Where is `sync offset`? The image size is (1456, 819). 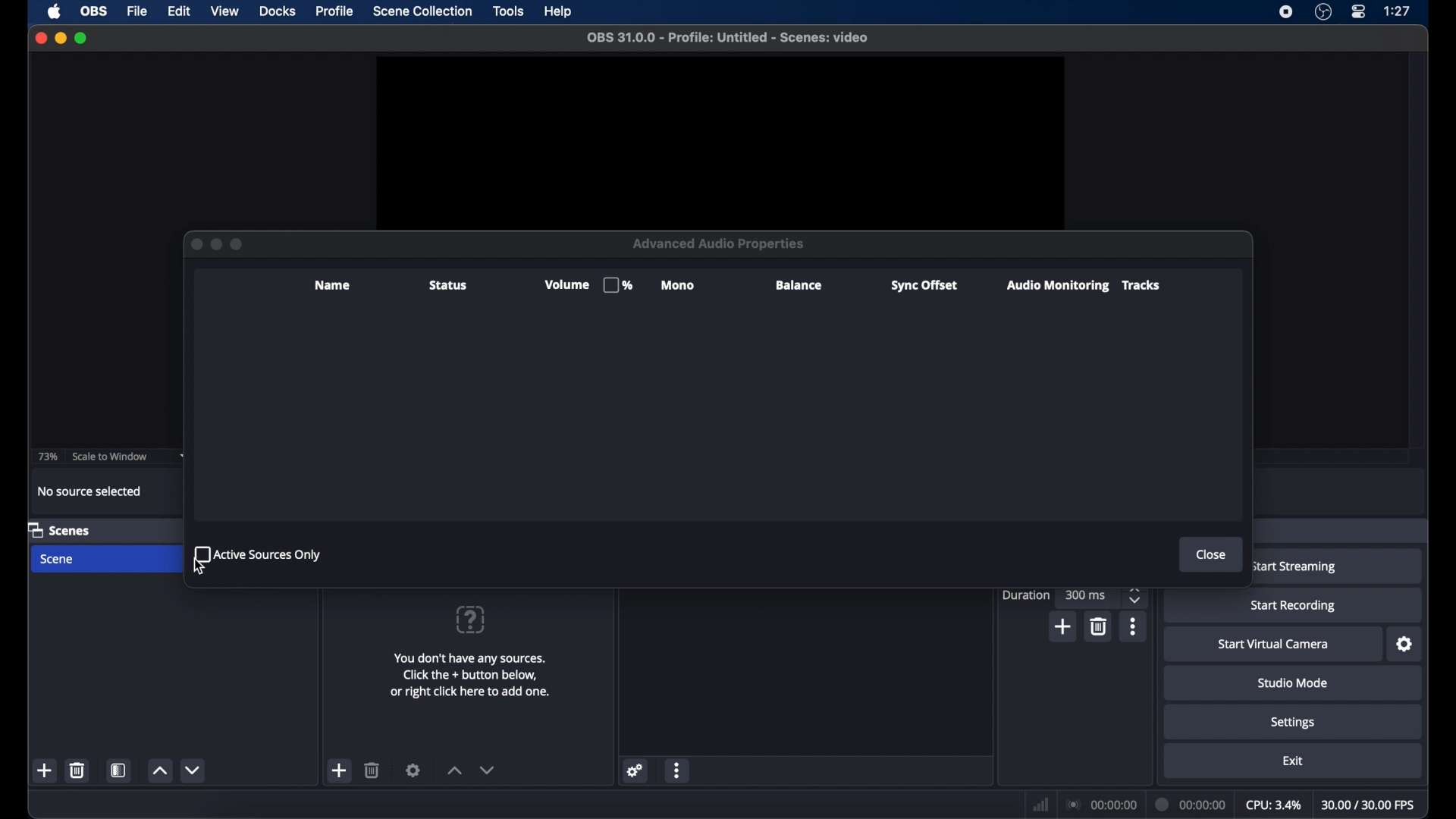
sync offset is located at coordinates (924, 286).